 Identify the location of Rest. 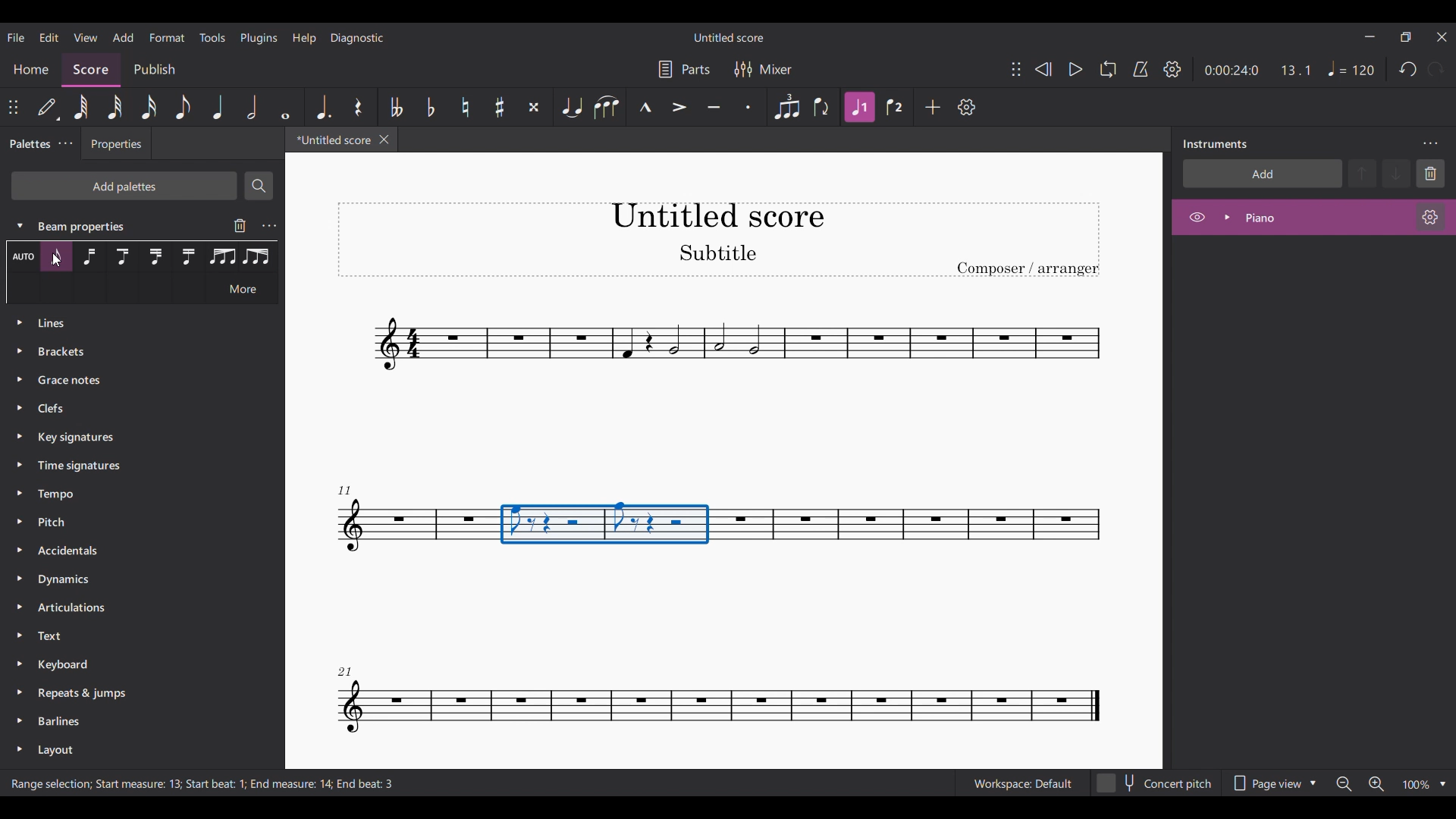
(358, 107).